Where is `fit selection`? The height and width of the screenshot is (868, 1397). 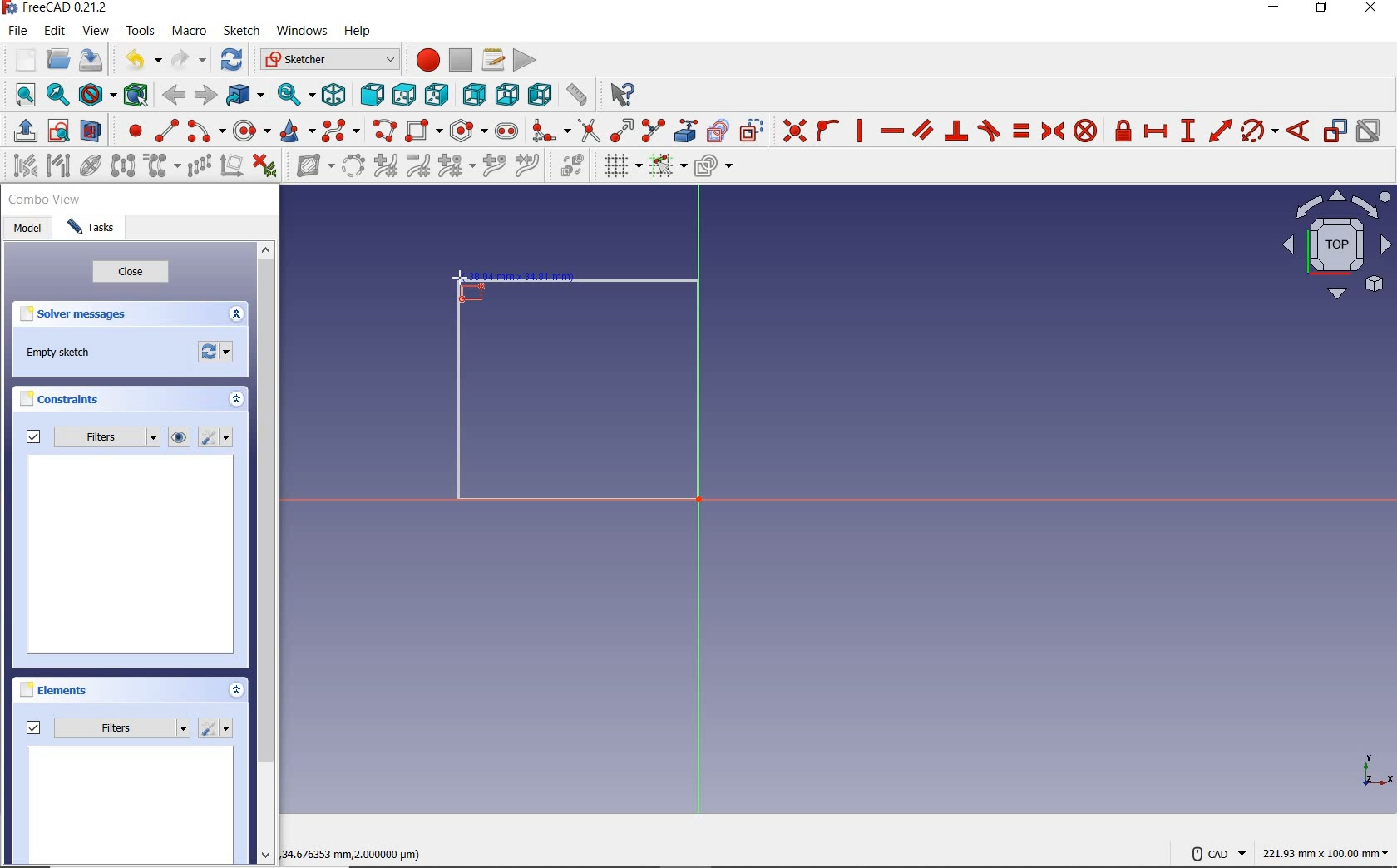 fit selection is located at coordinates (57, 96).